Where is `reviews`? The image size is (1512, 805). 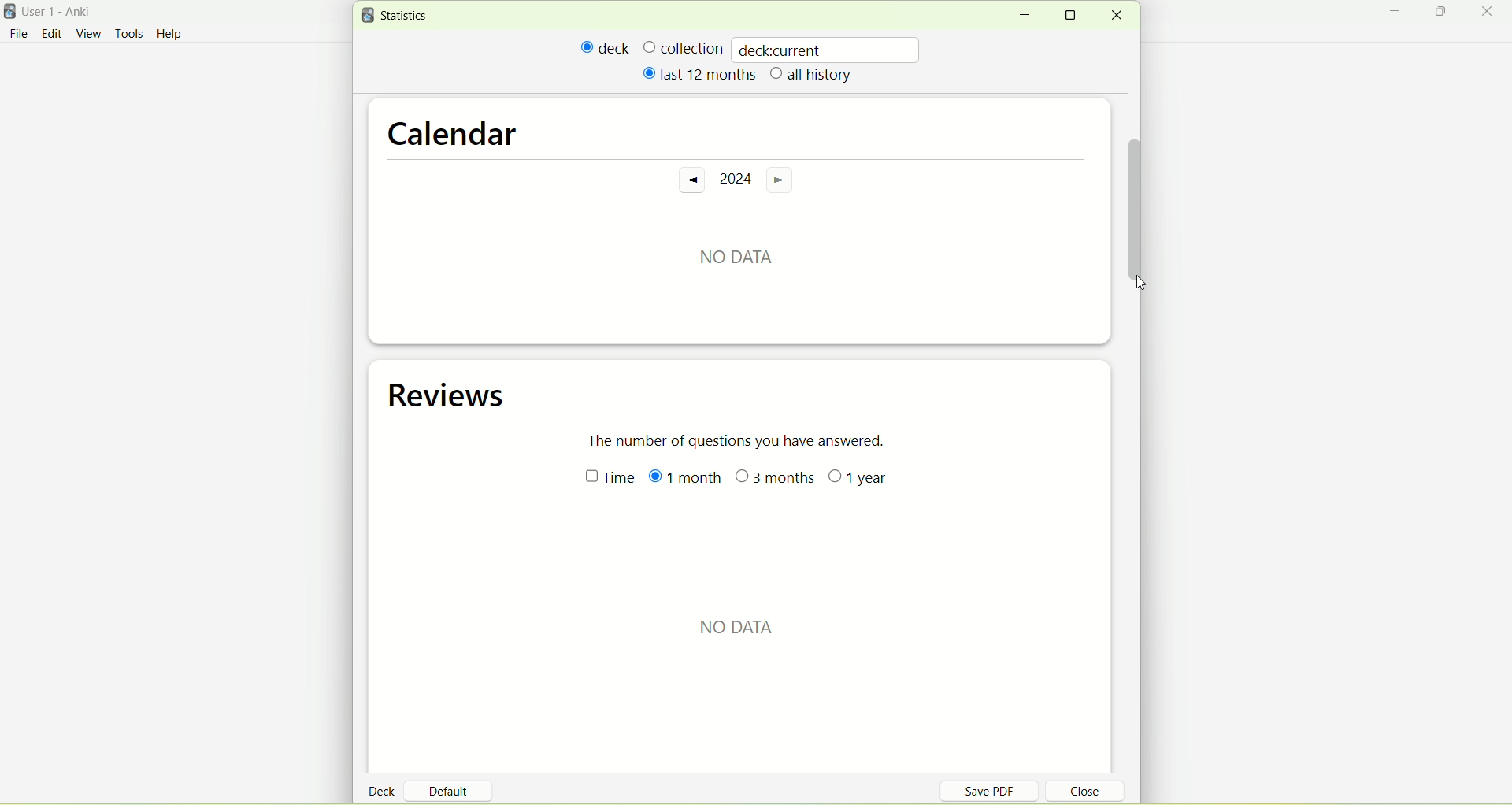
reviews is located at coordinates (451, 395).